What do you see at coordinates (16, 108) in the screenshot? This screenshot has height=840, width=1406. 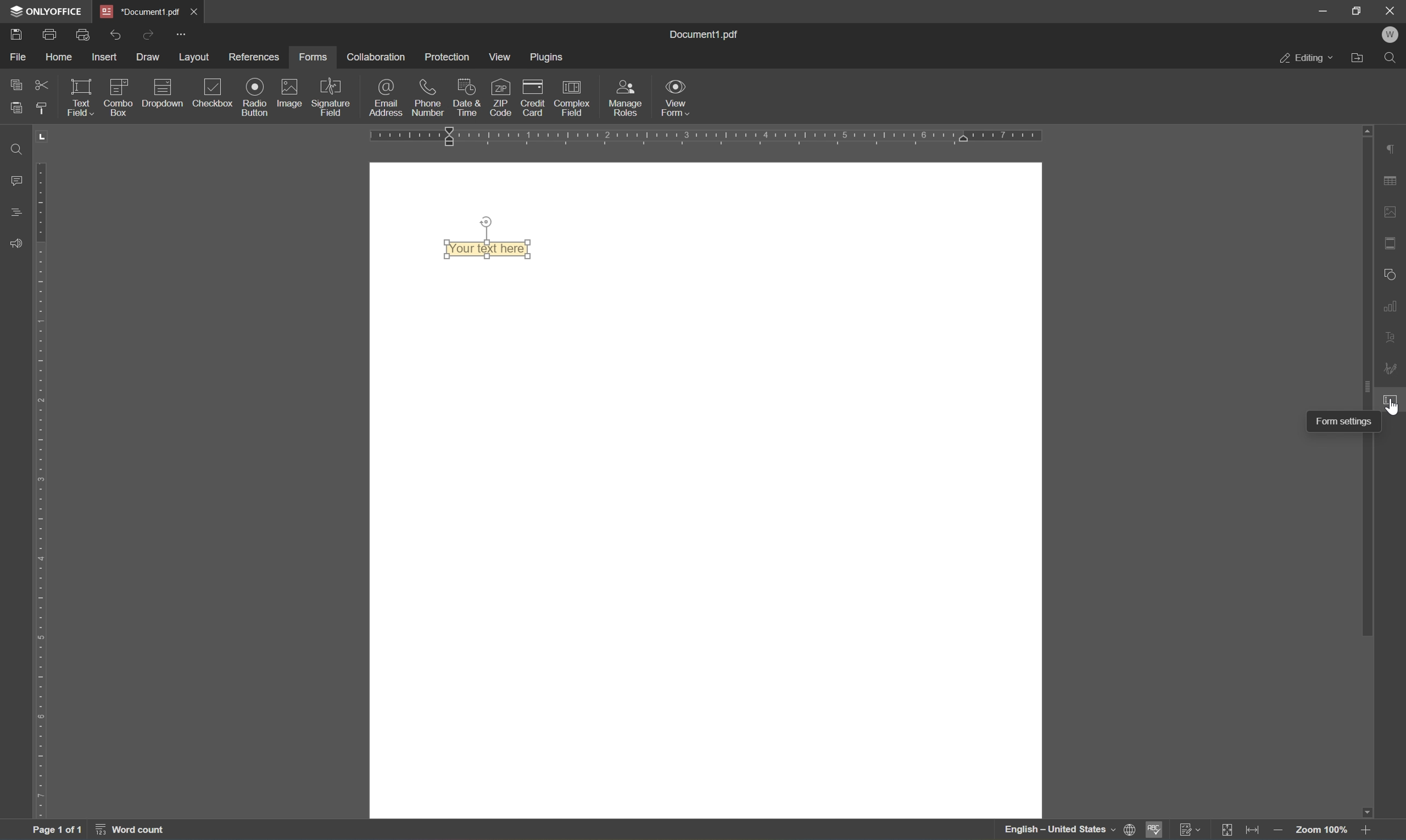 I see `paste` at bounding box center [16, 108].